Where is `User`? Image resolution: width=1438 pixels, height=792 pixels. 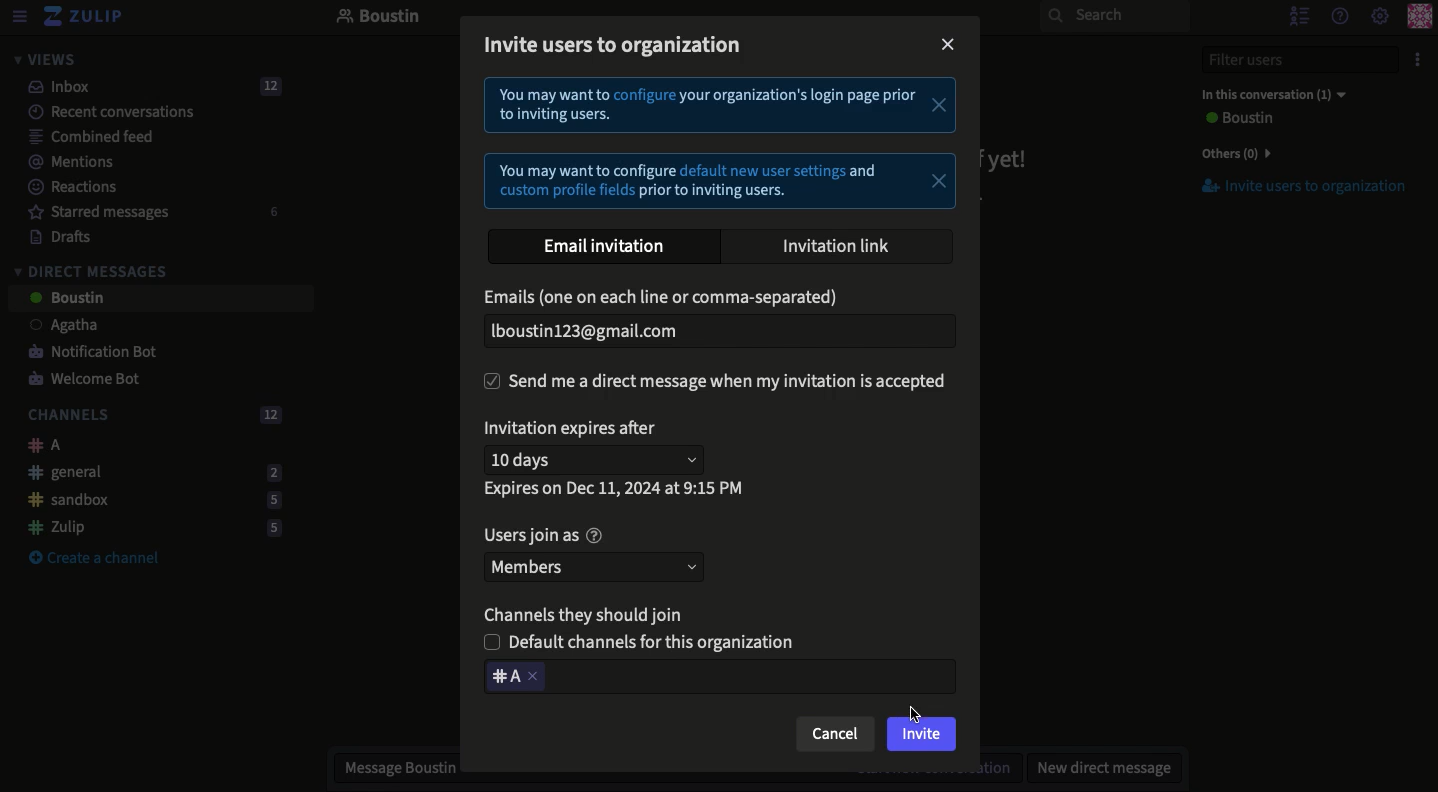
User is located at coordinates (1236, 119).